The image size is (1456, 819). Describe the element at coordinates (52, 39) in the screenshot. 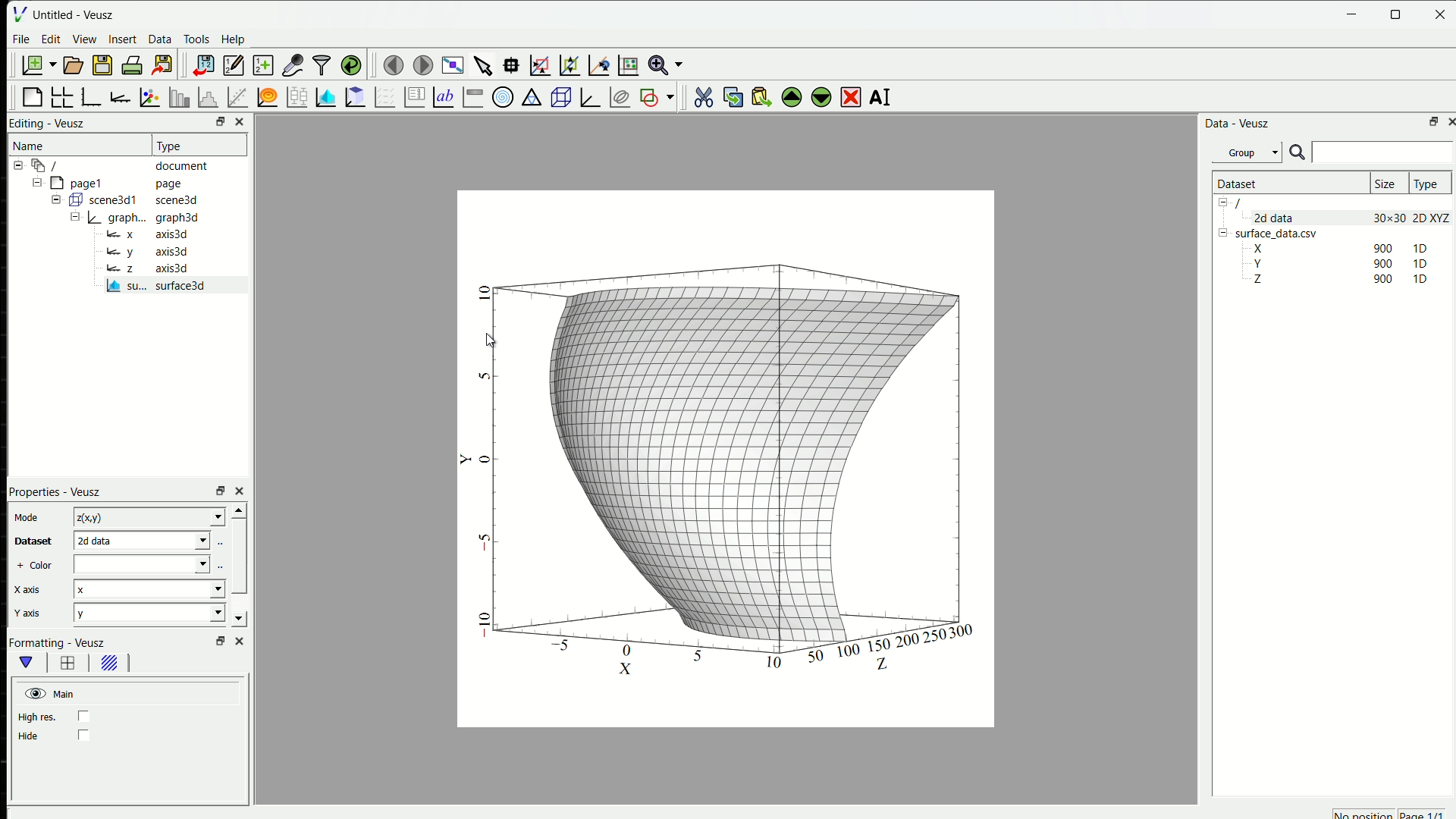

I see `Edit` at that location.